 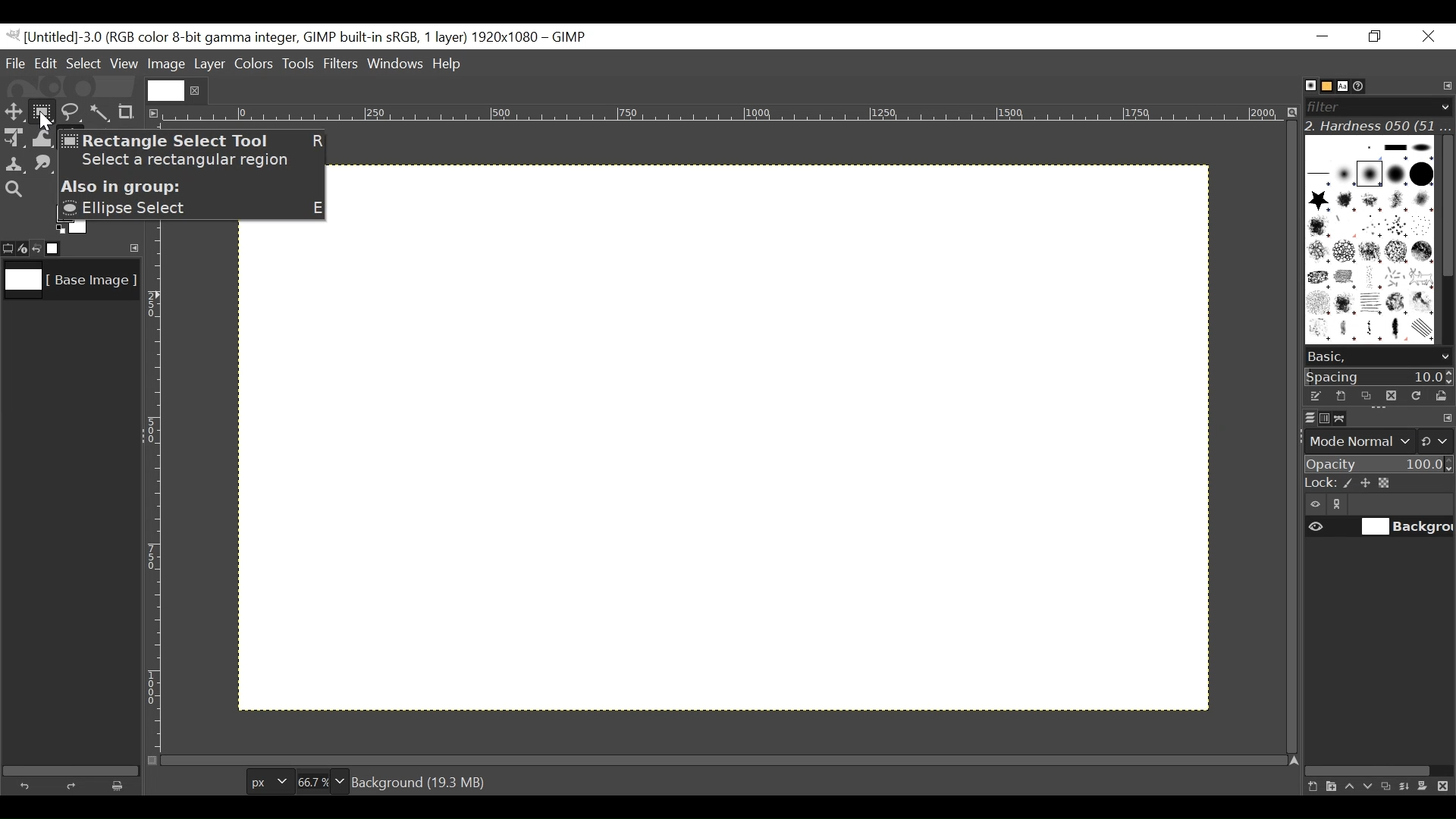 I want to click on select tool popup, so click(x=194, y=174).